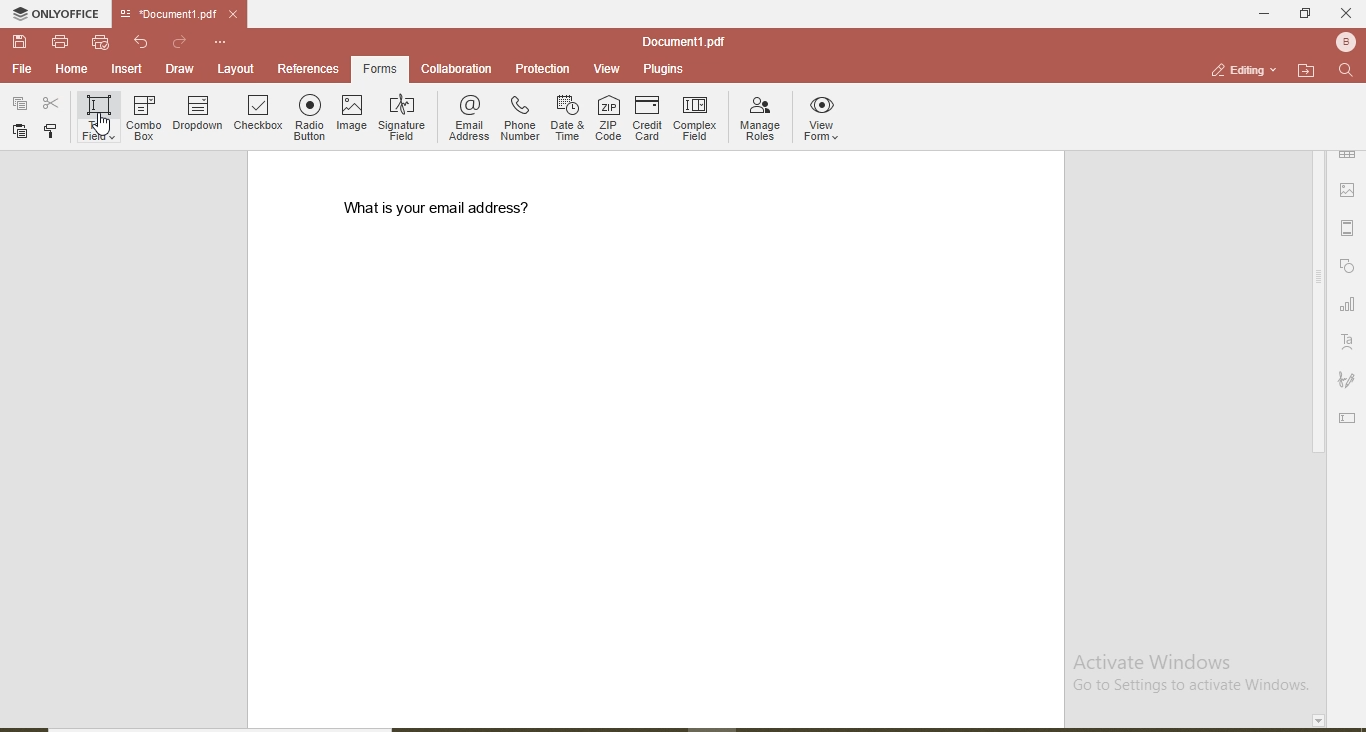 This screenshot has width=1366, height=732. I want to click on signature, so click(1347, 381).